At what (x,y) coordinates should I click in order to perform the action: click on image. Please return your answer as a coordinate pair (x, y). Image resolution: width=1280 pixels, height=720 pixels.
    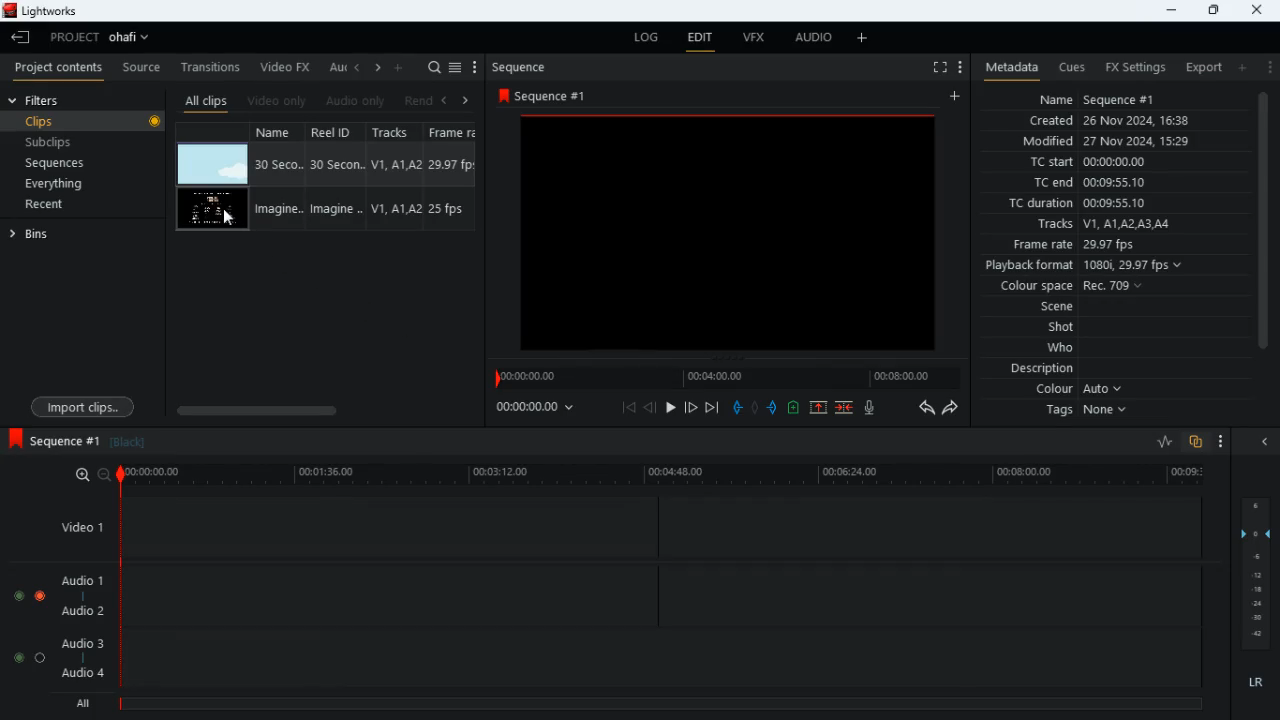
    Looking at the image, I should click on (213, 165).